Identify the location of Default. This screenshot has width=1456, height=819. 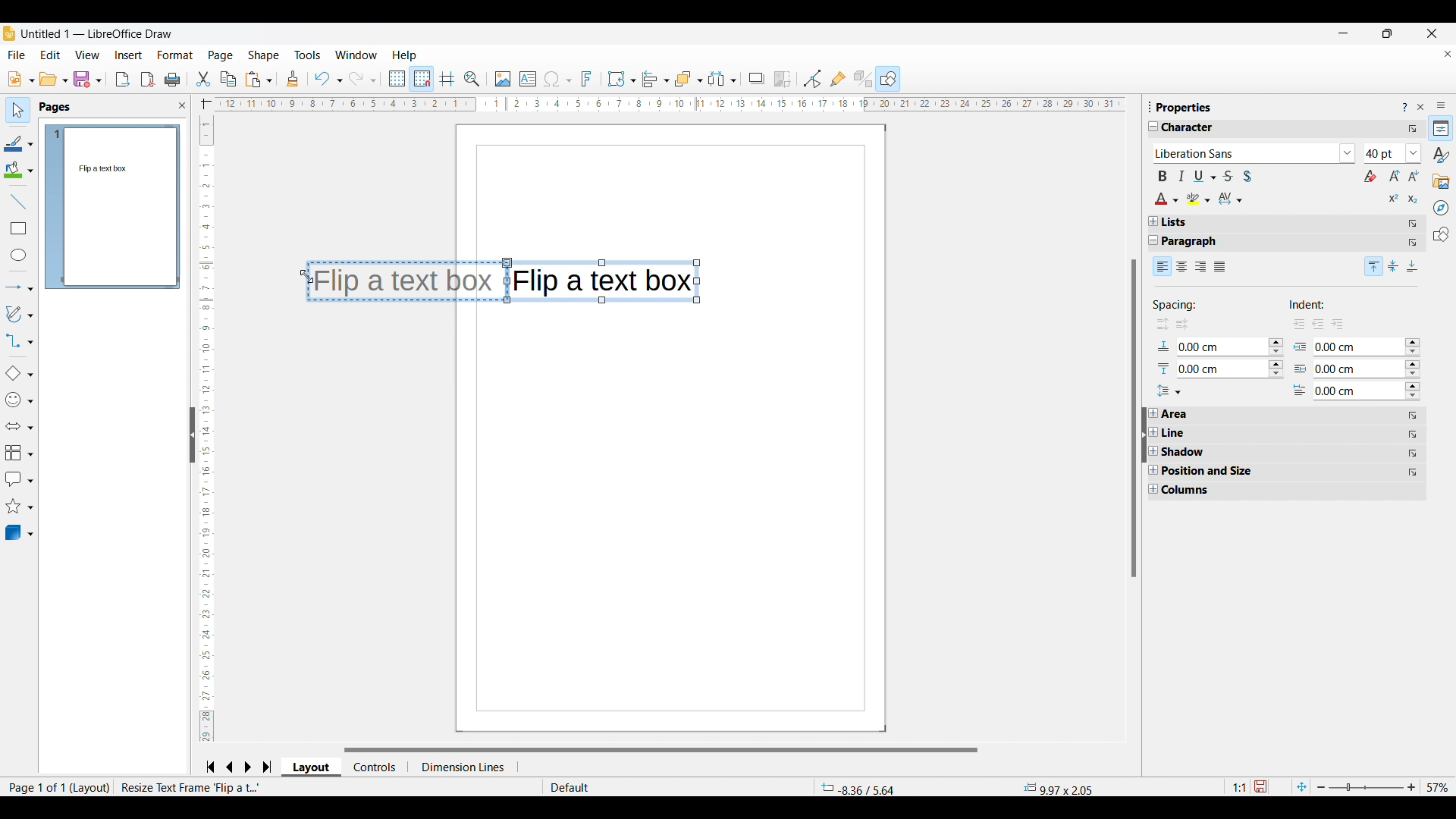
(607, 787).